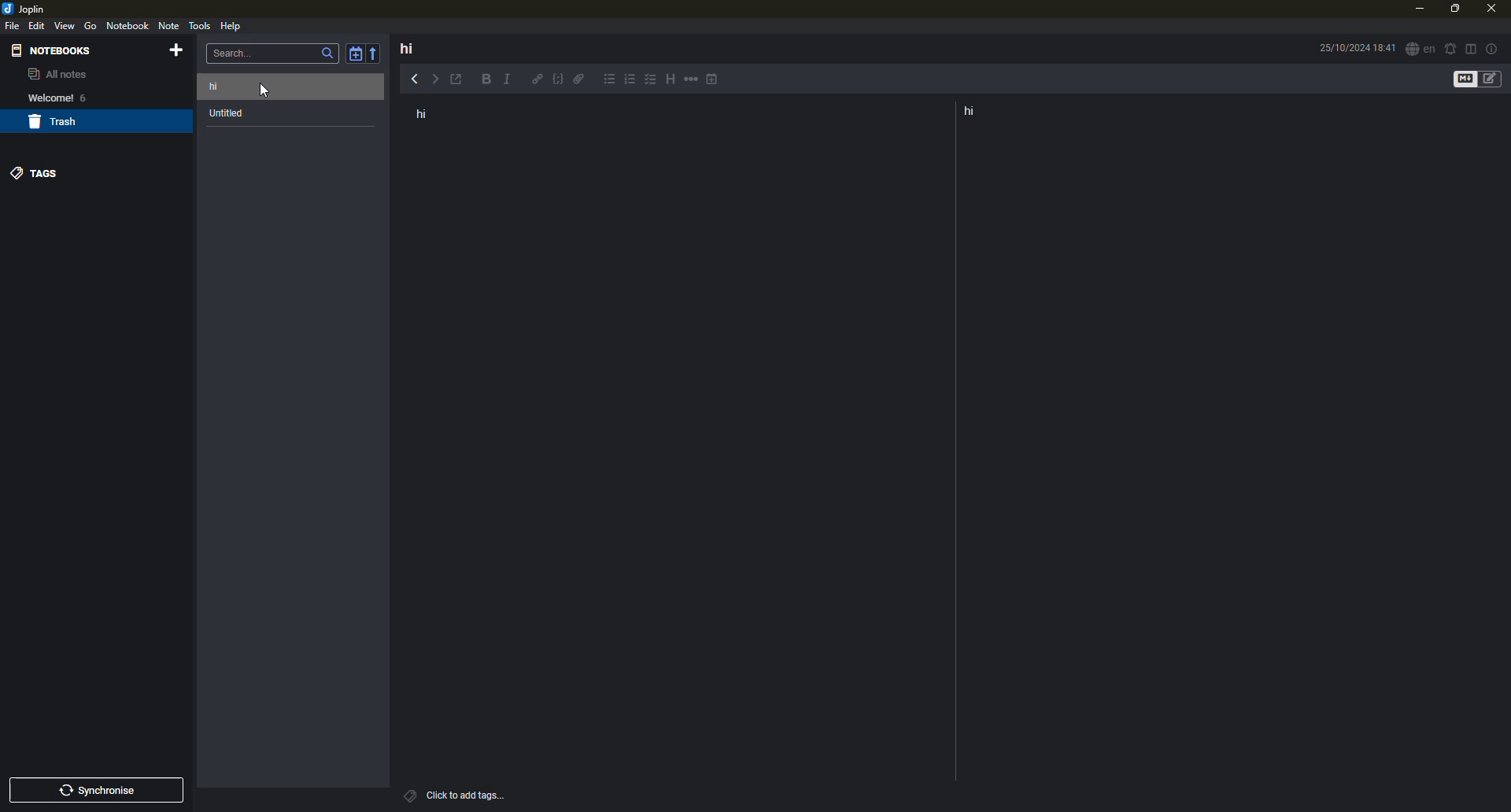  Describe the element at coordinates (556, 81) in the screenshot. I see `code` at that location.